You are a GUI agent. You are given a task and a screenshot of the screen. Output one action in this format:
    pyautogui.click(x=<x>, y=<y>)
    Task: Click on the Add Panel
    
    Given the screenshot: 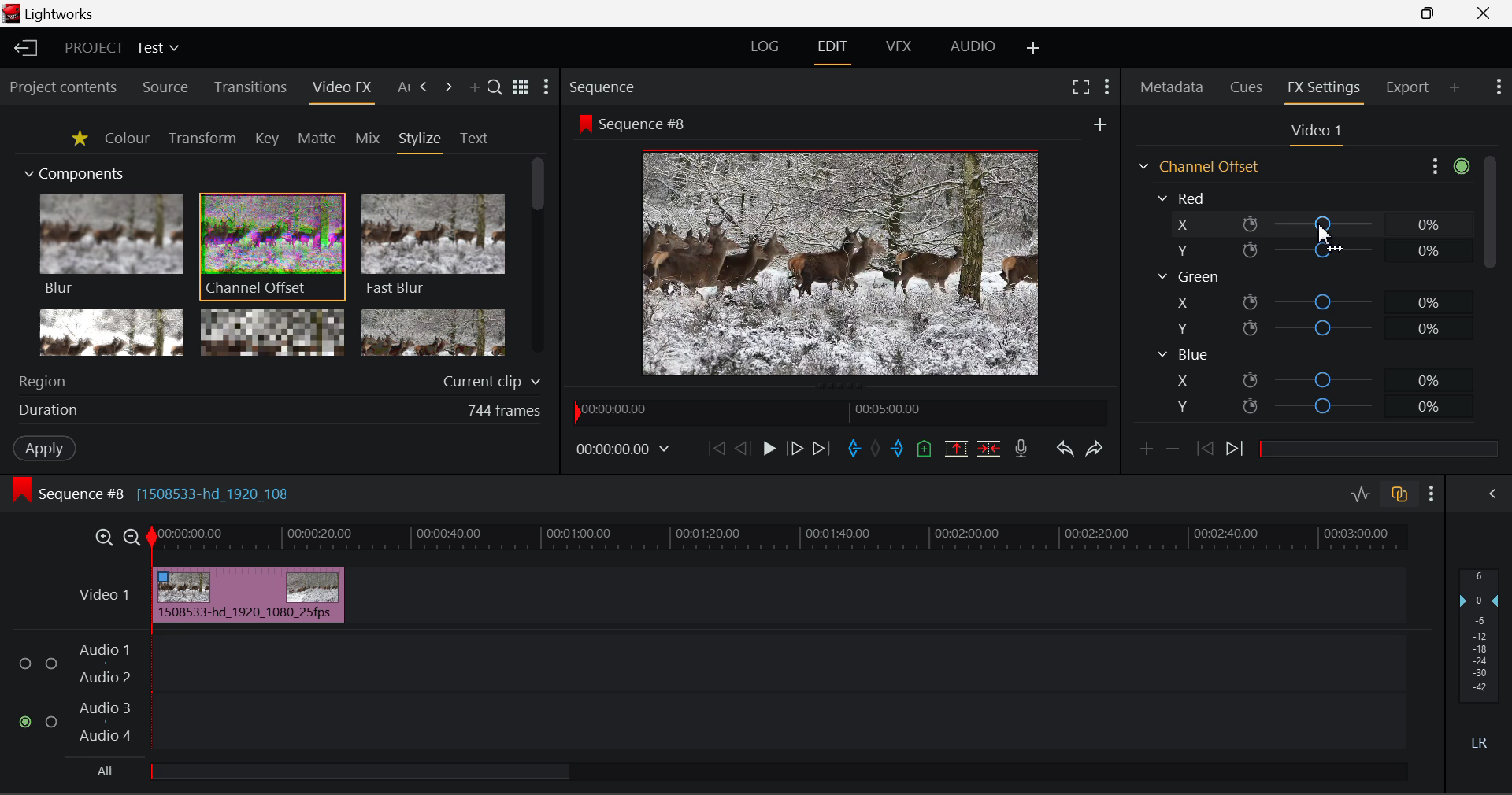 What is the action you would take?
    pyautogui.click(x=1454, y=88)
    